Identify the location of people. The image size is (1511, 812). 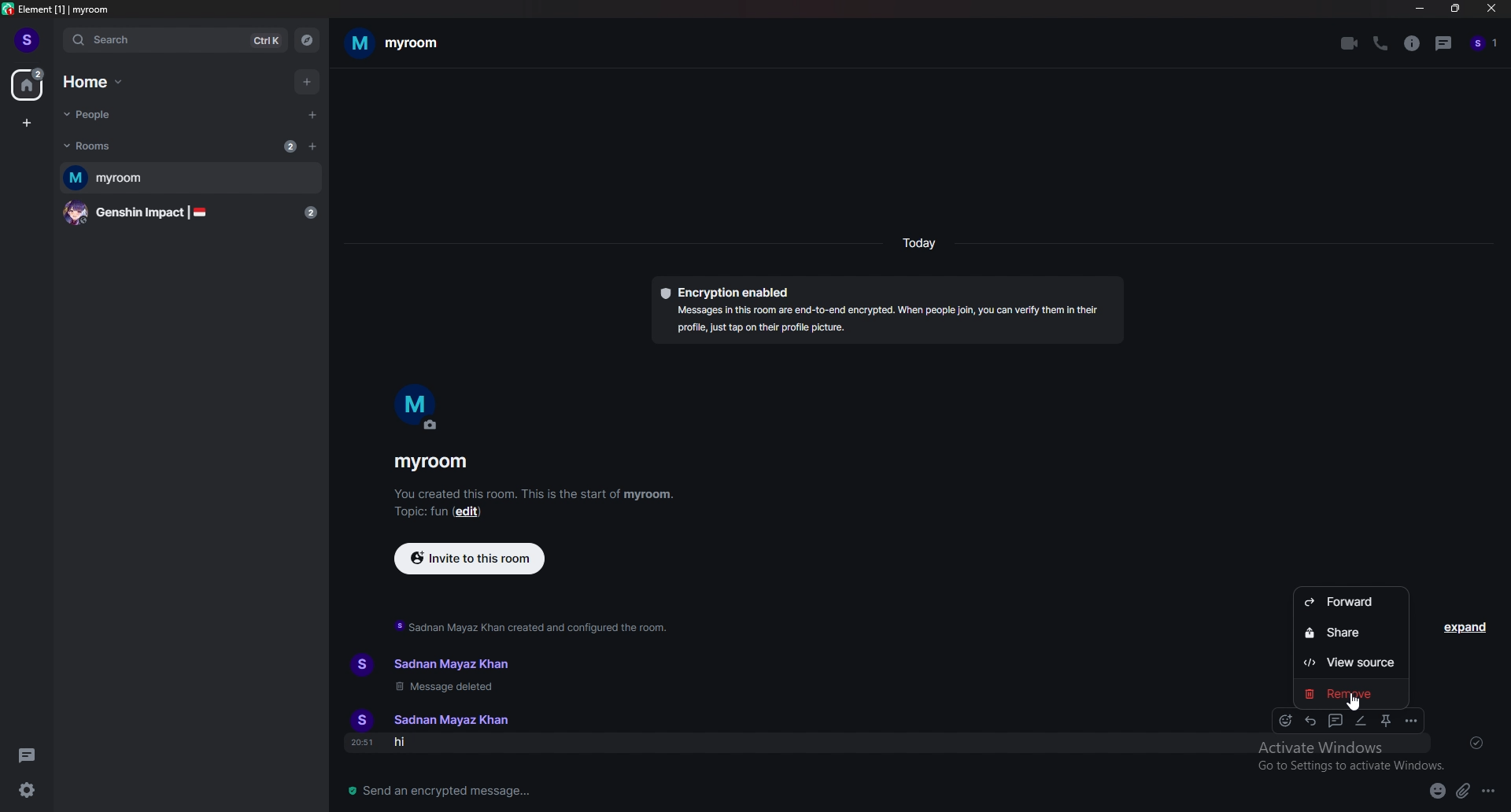
(98, 116).